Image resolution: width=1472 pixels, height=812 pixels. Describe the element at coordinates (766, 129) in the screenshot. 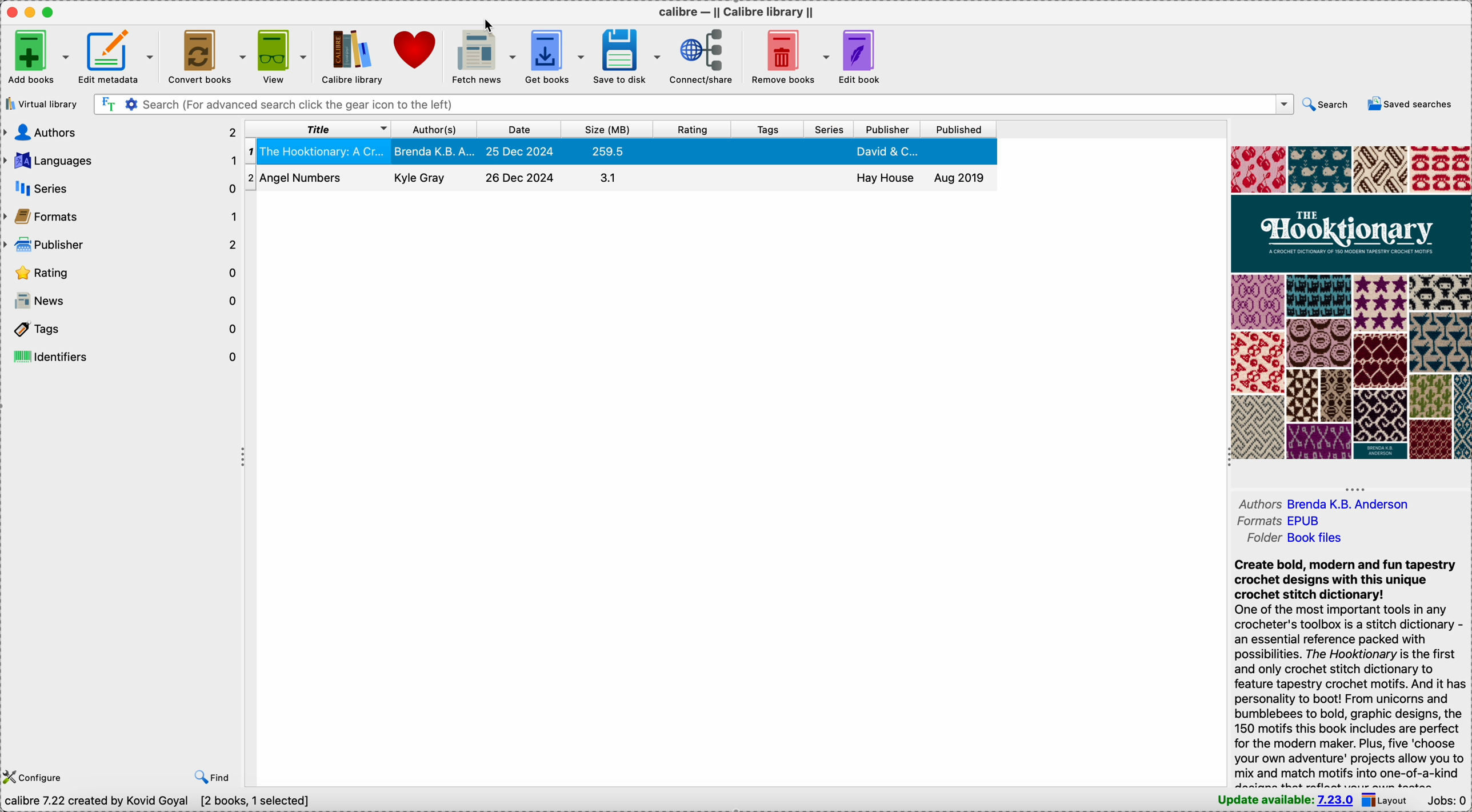

I see `tags` at that location.